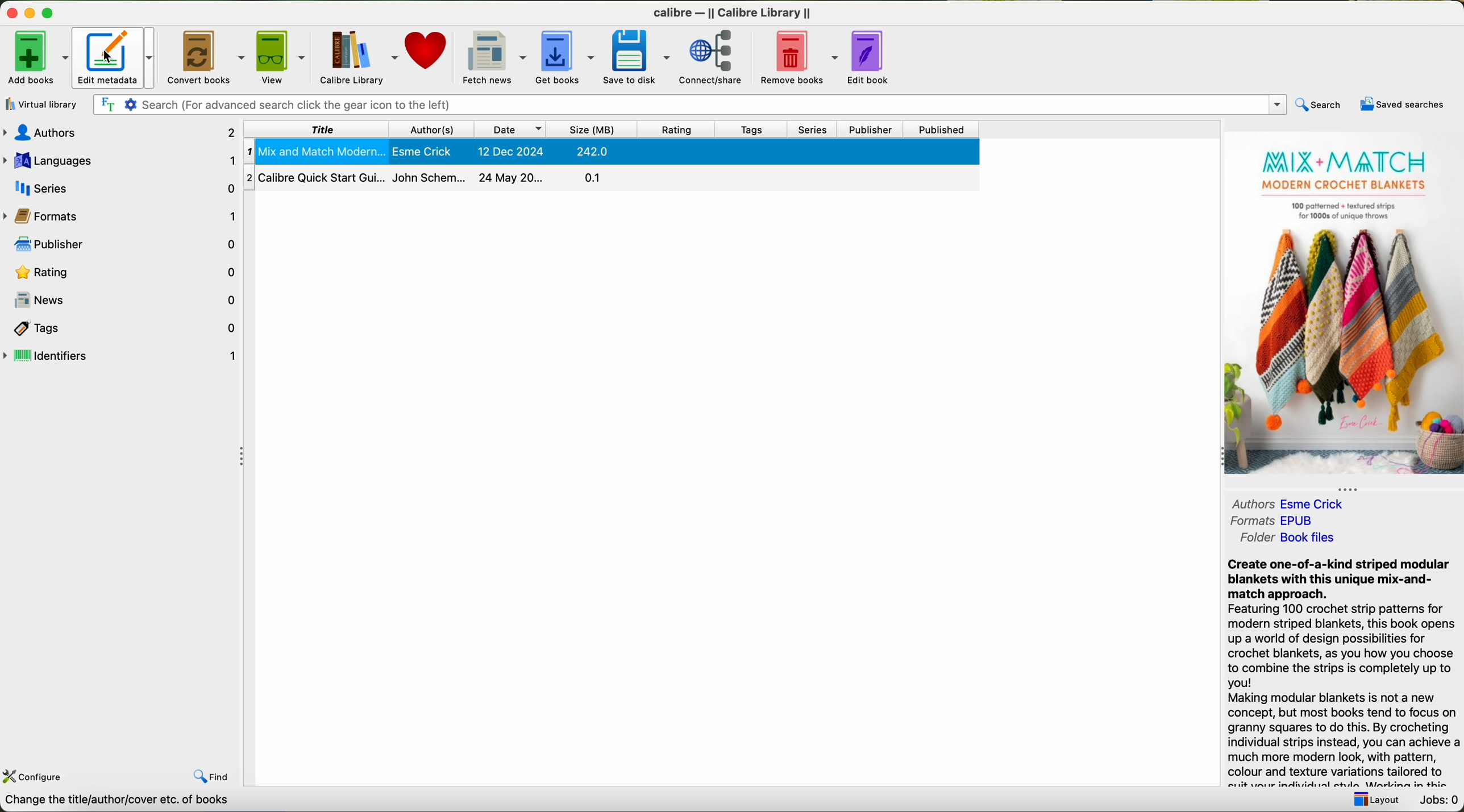 Image resolution: width=1464 pixels, height=812 pixels. Describe the element at coordinates (1404, 105) in the screenshot. I see `saved searches` at that location.